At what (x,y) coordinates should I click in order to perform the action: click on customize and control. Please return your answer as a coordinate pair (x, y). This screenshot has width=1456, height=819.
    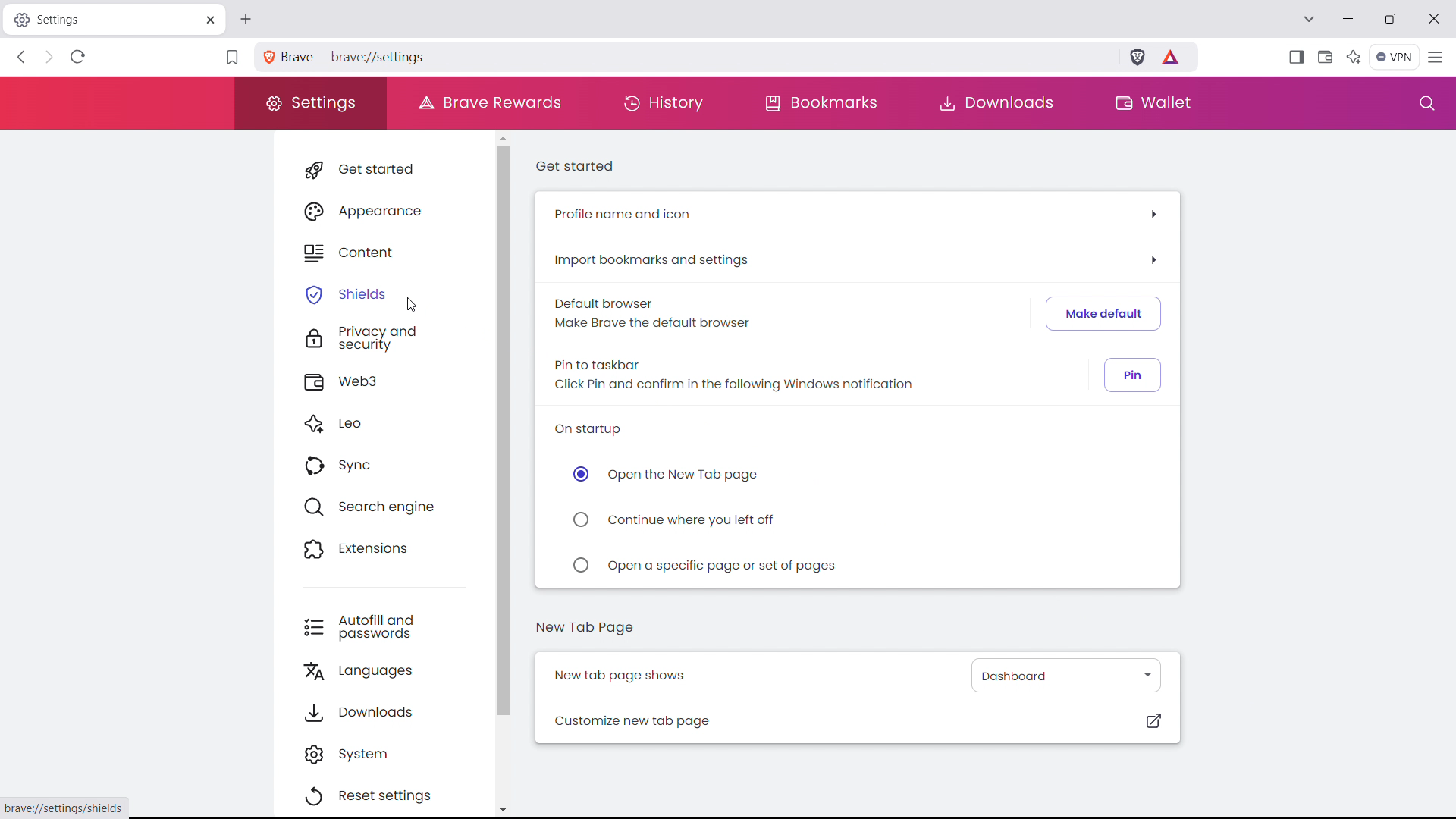
    Looking at the image, I should click on (1436, 58).